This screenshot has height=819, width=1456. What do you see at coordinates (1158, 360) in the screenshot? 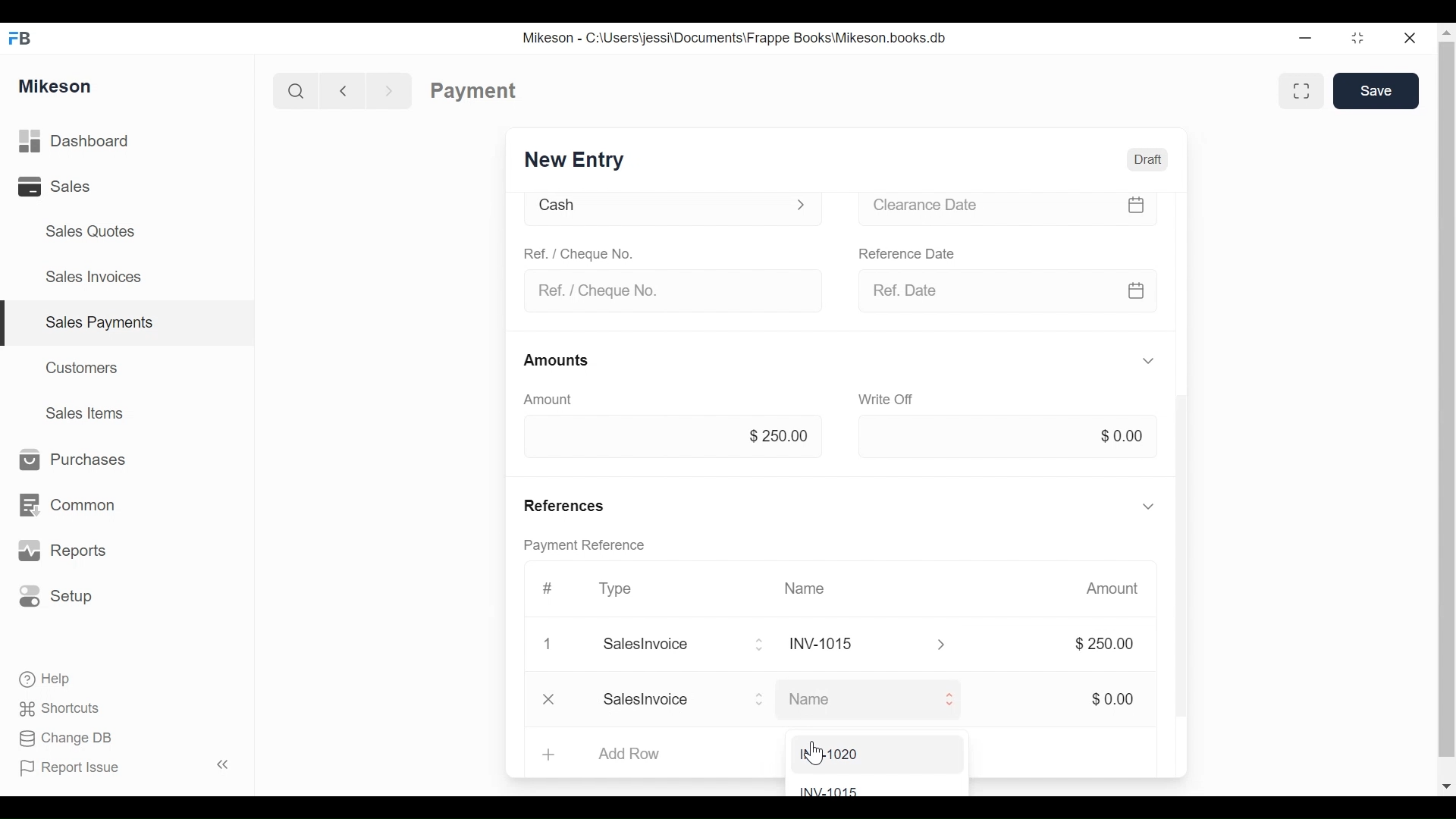
I see `Hide` at bounding box center [1158, 360].